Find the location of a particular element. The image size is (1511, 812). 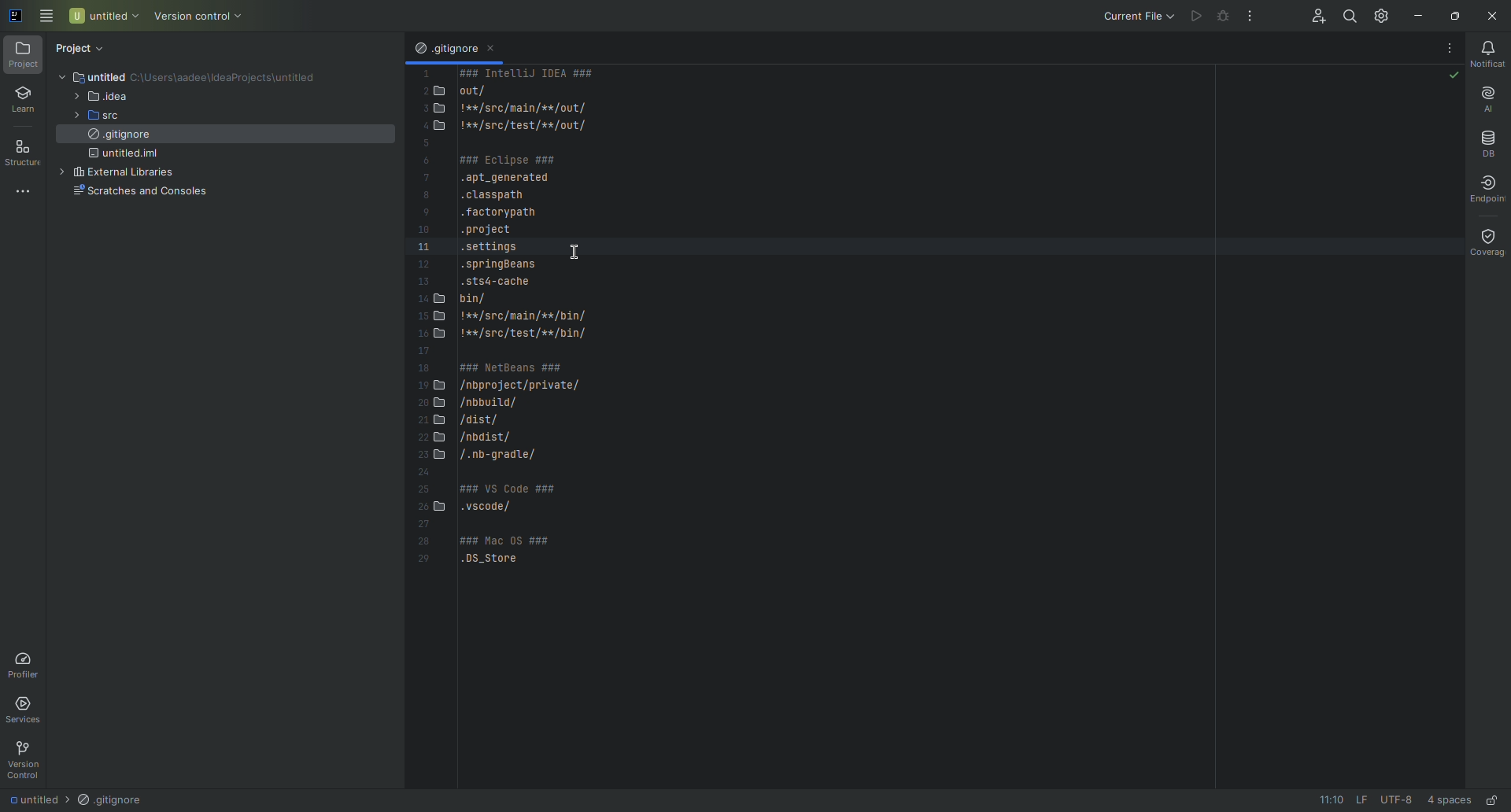

Minimize is located at coordinates (1417, 15).